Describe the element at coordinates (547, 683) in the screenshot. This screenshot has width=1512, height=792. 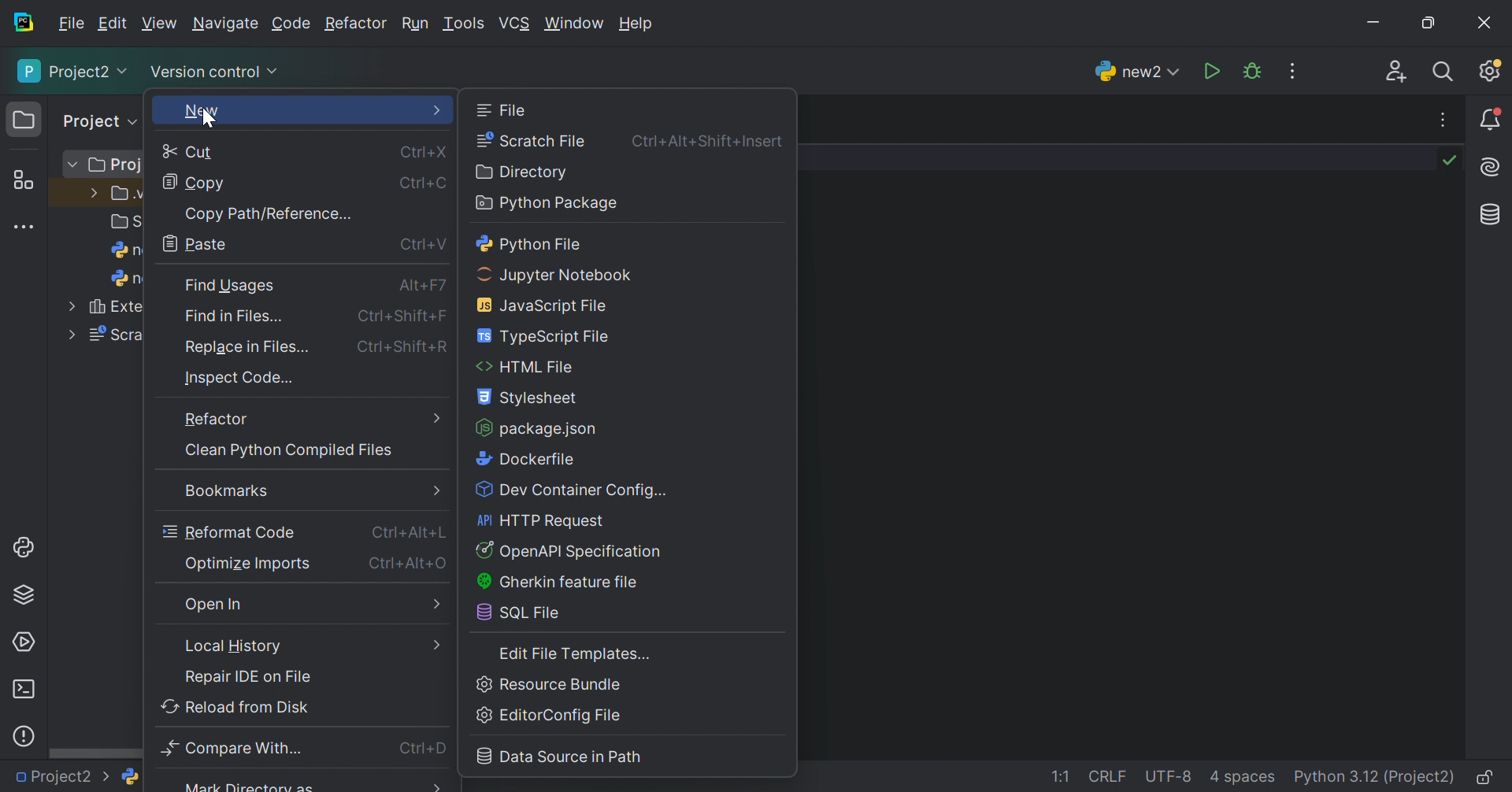
I see `Resource bundle` at that location.